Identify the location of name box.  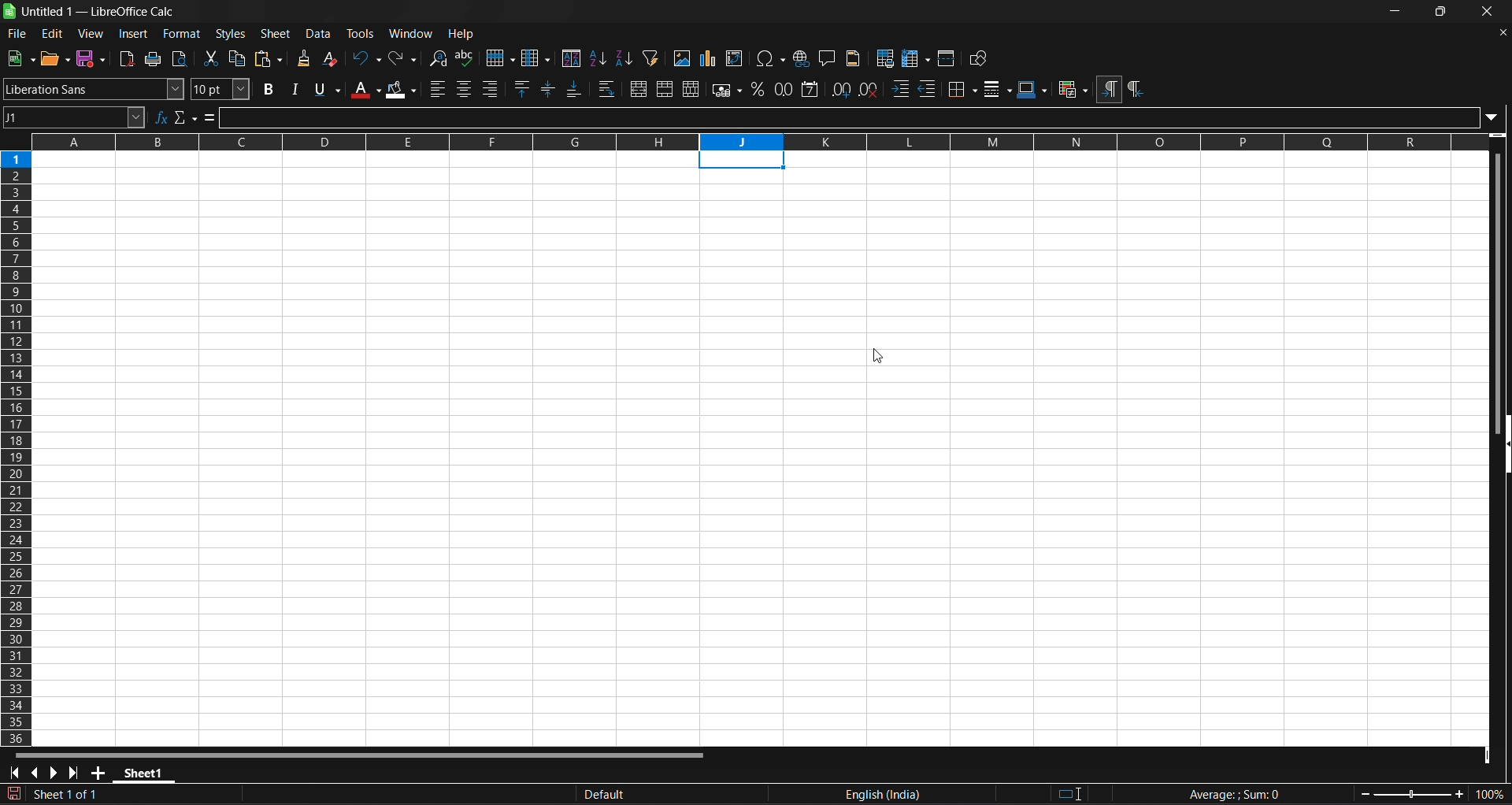
(75, 117).